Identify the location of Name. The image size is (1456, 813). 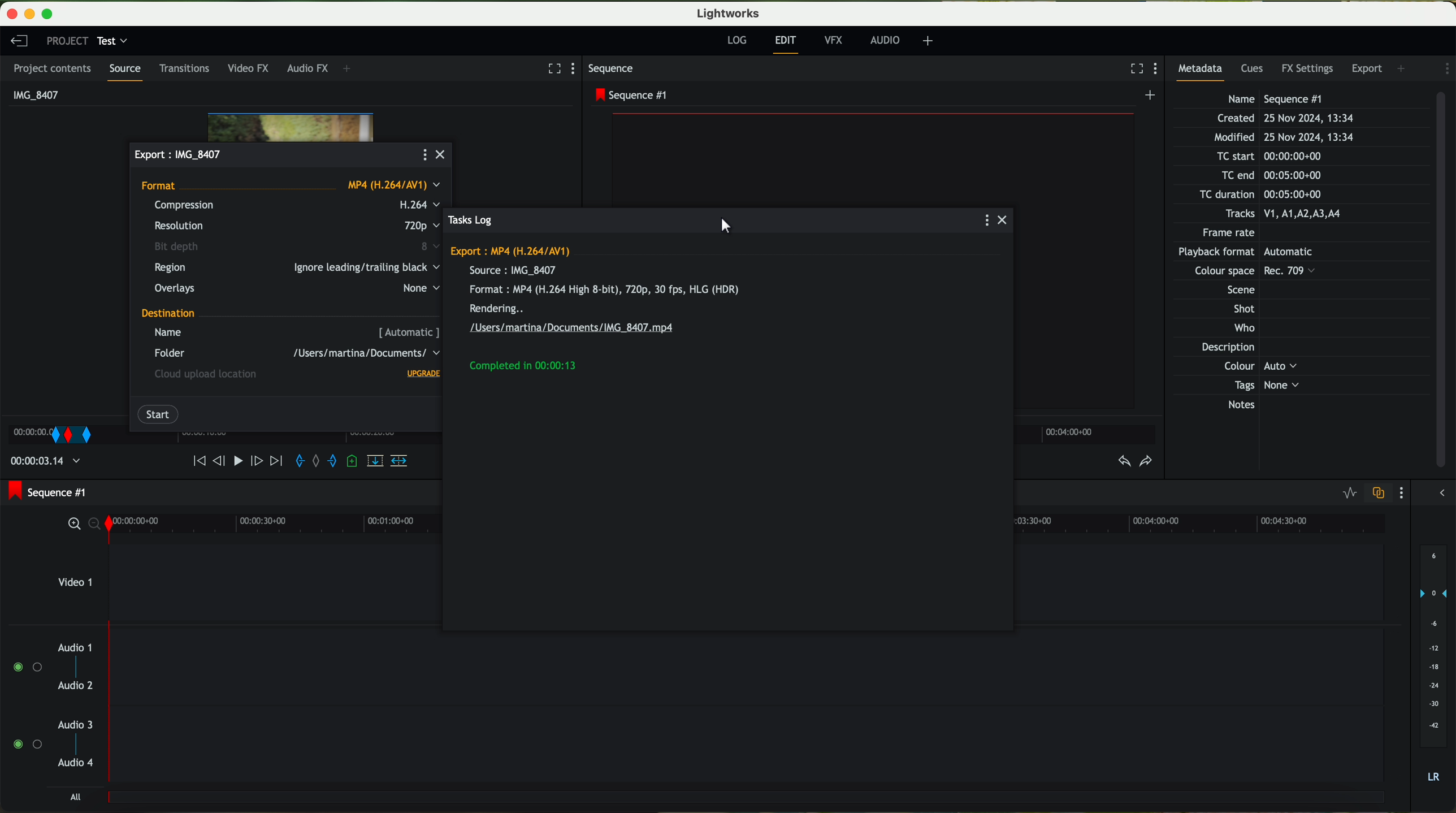
(1278, 98).